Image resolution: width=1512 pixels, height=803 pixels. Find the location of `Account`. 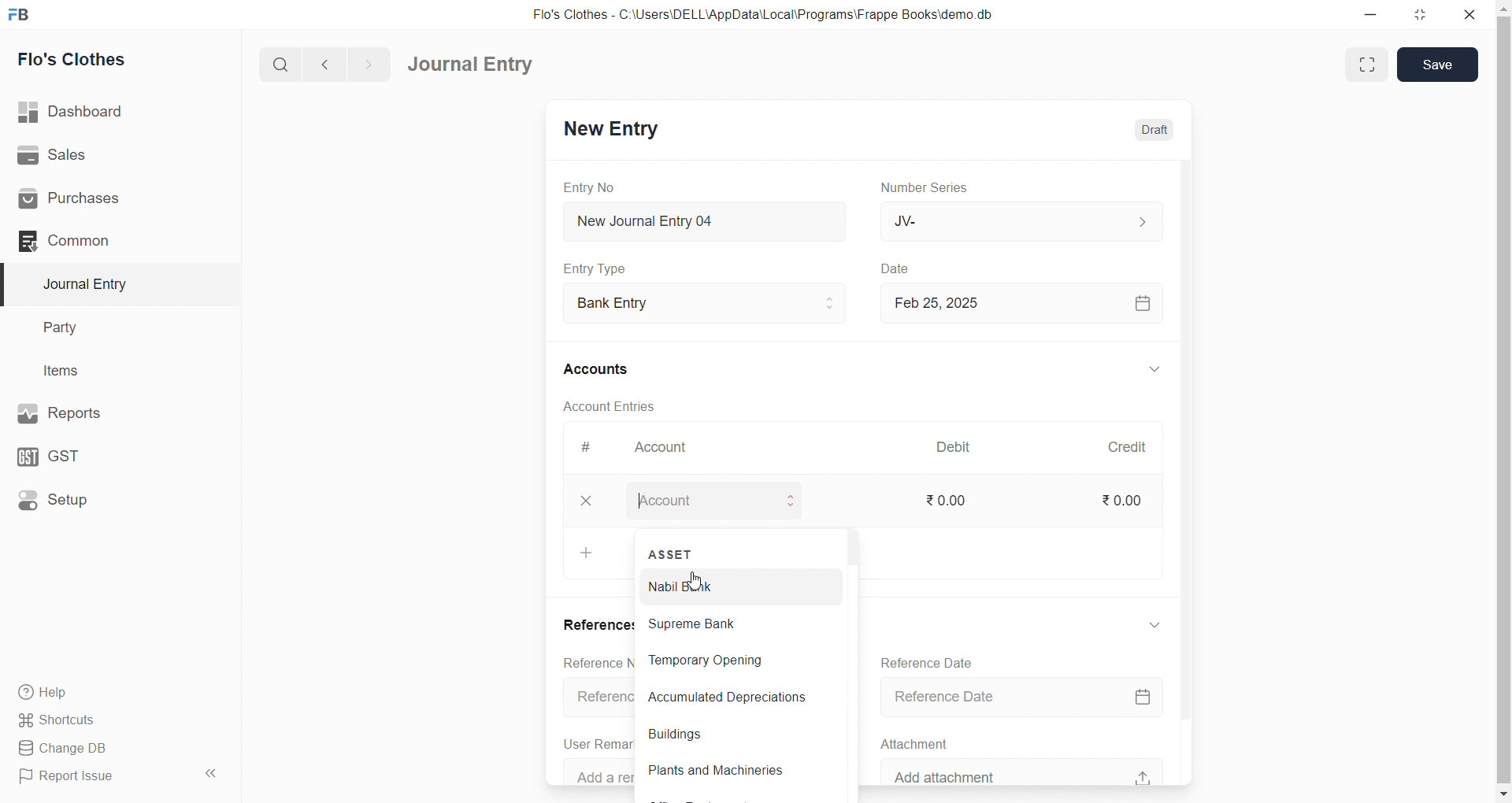

Account is located at coordinates (713, 498).